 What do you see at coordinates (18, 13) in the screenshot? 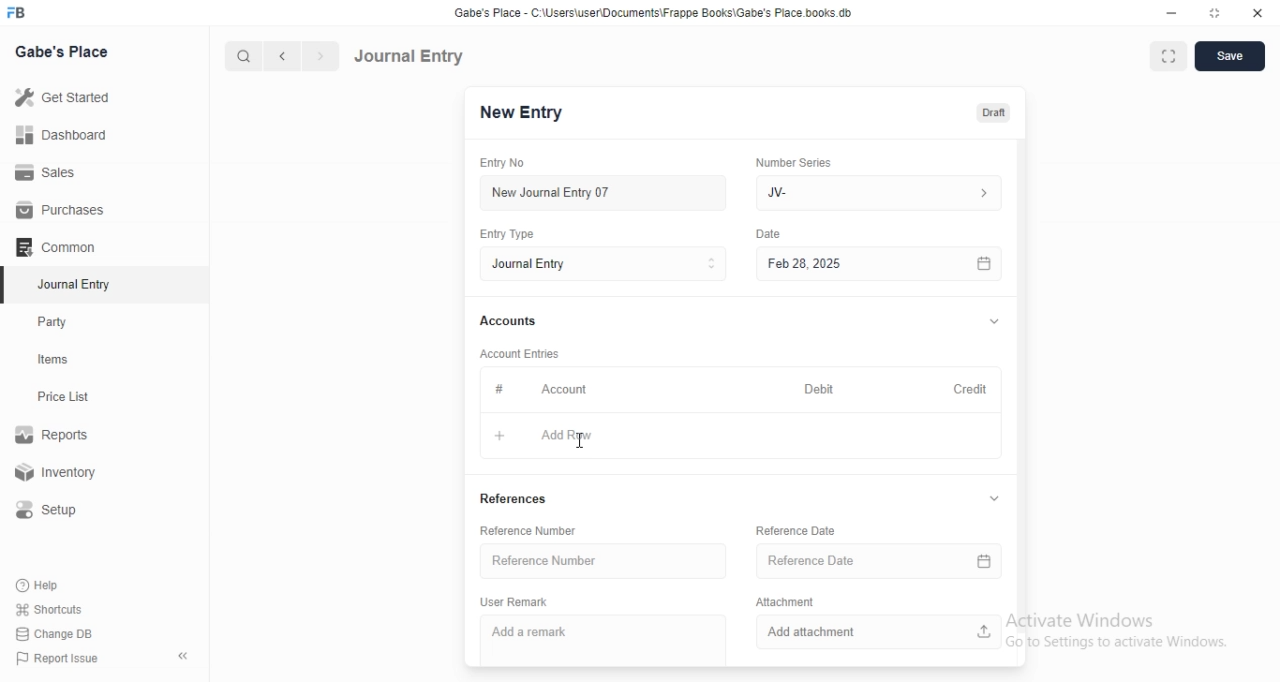
I see `FB logo` at bounding box center [18, 13].